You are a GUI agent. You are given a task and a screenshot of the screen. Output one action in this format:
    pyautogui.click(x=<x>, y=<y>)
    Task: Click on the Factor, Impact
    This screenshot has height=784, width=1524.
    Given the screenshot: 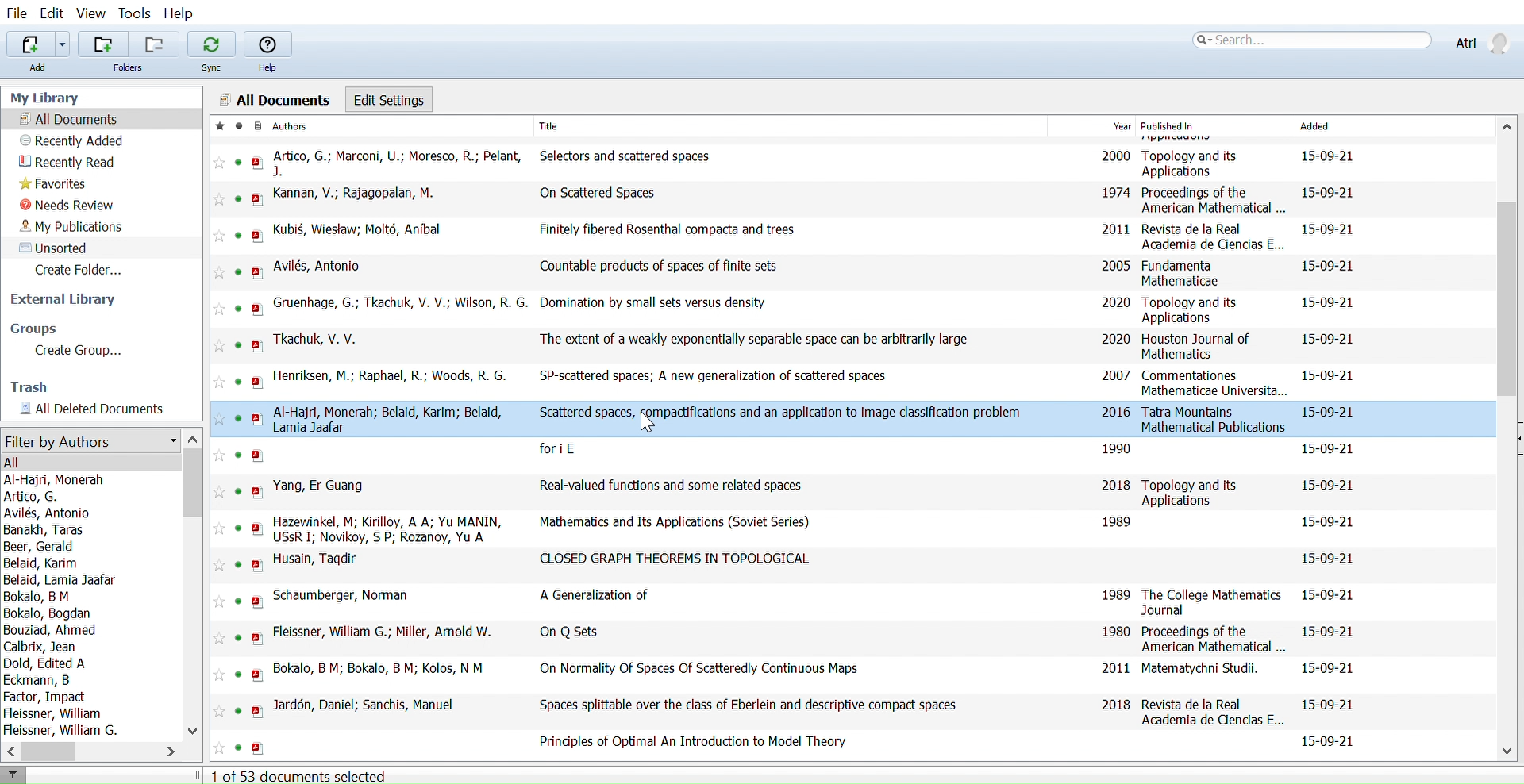 What is the action you would take?
    pyautogui.click(x=46, y=697)
    